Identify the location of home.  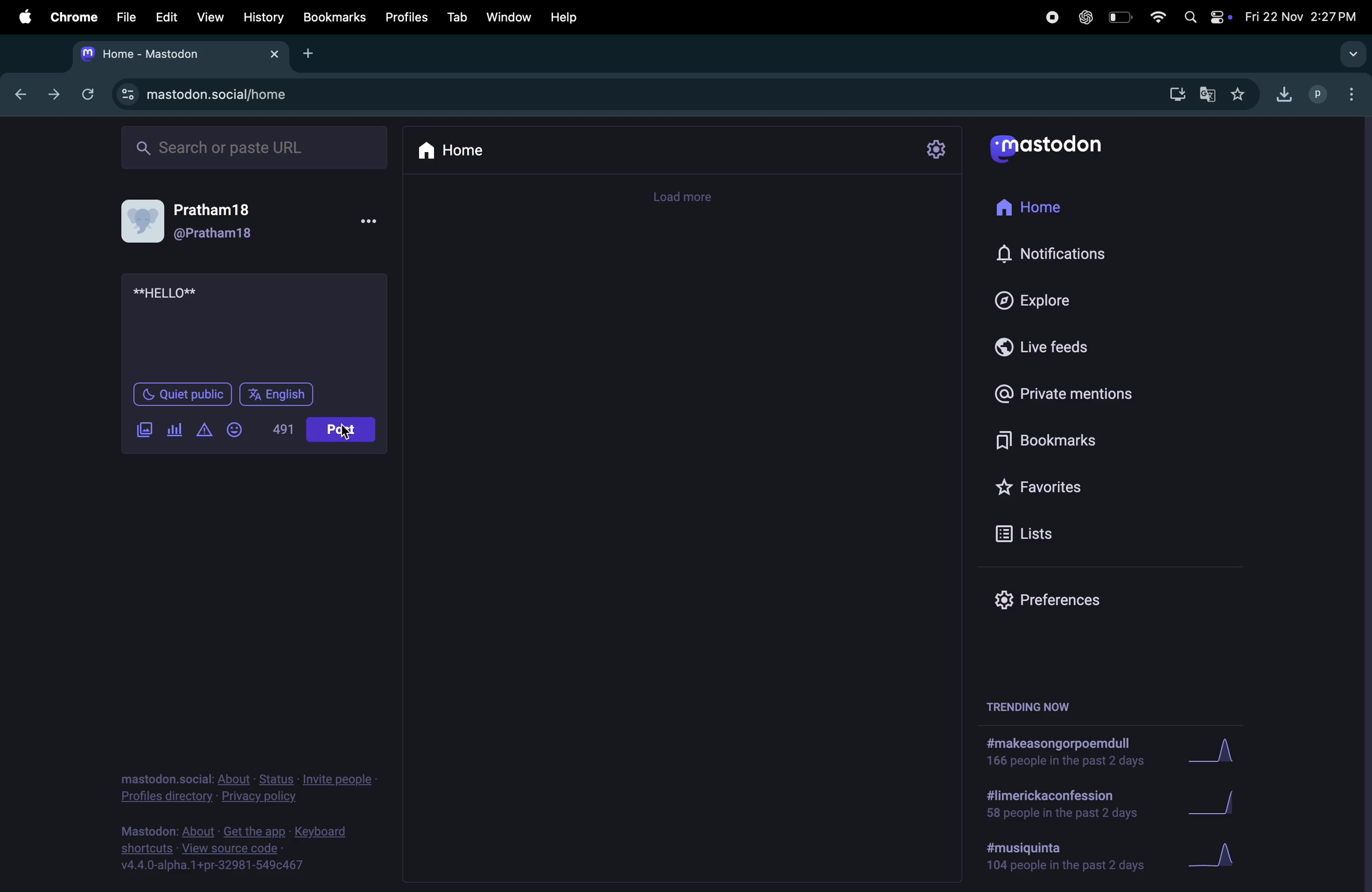
(463, 150).